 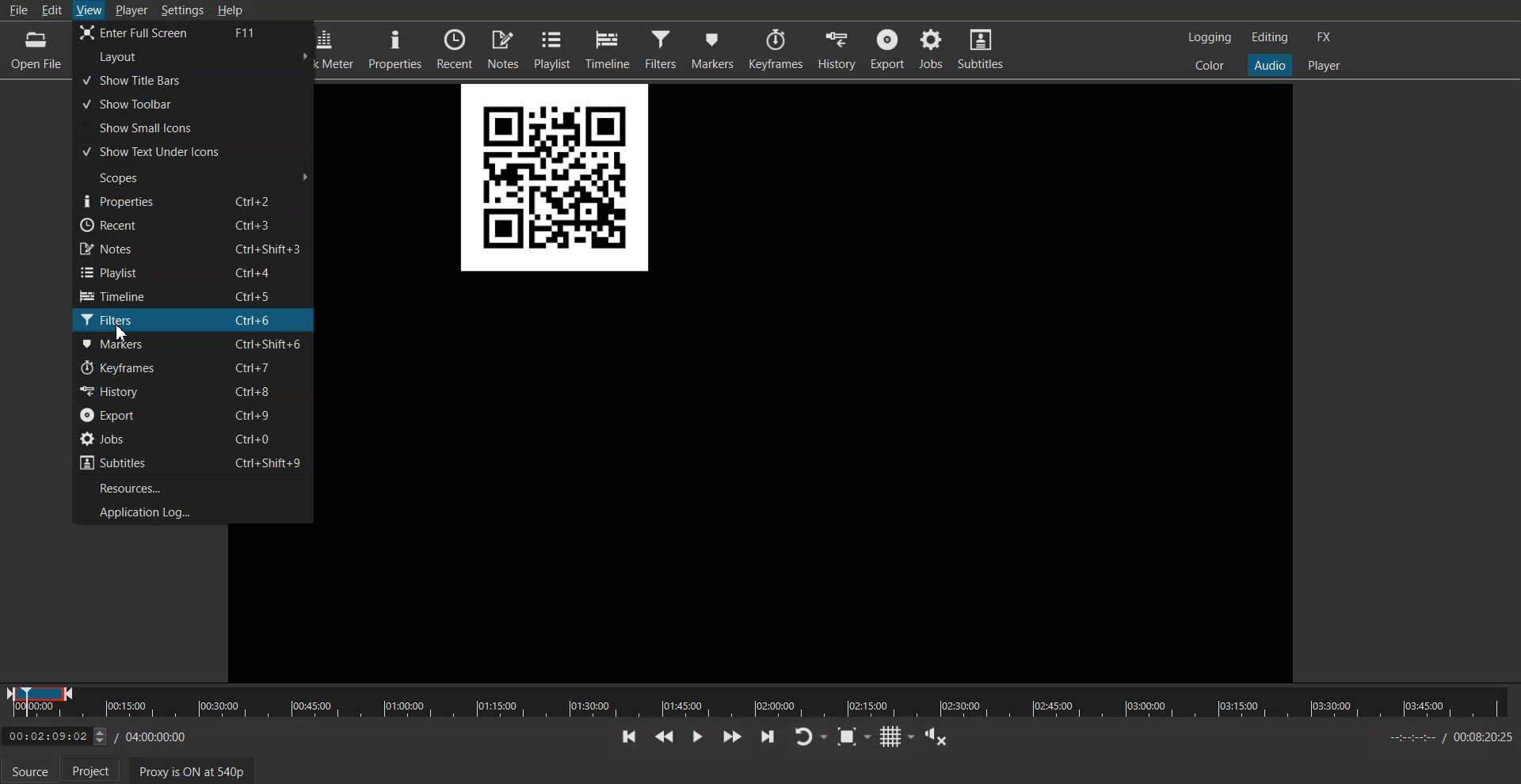 What do you see at coordinates (555, 180) in the screenshot?
I see `File Preview` at bounding box center [555, 180].